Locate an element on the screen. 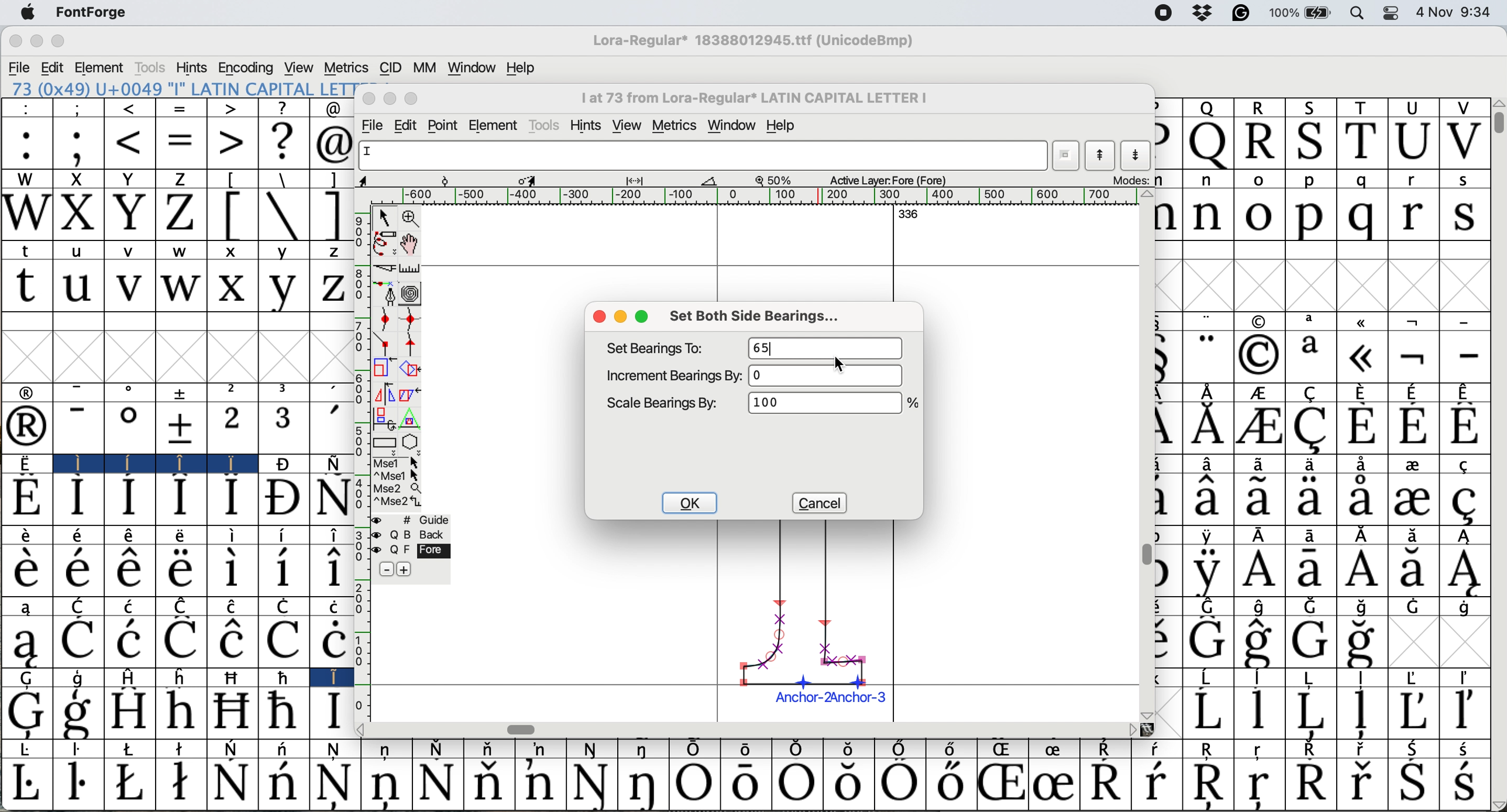  Symbol is located at coordinates (29, 750).